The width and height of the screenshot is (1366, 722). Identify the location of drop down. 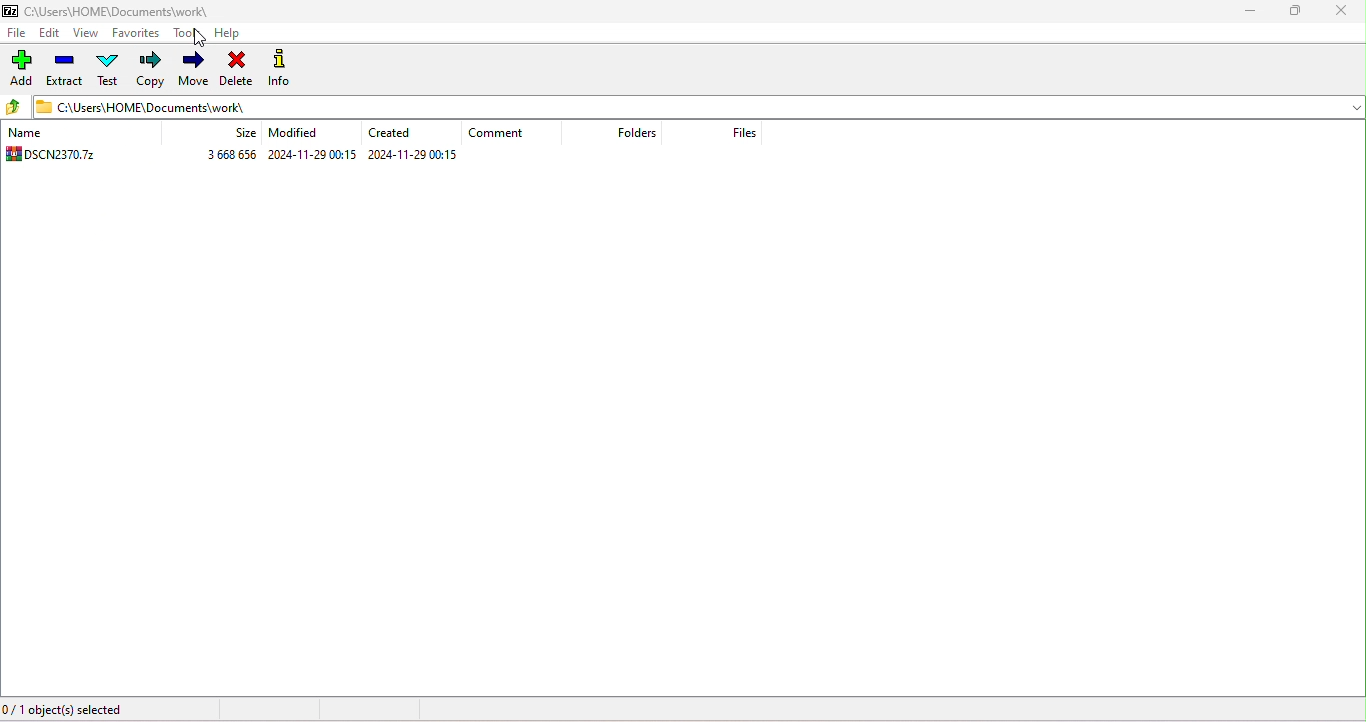
(1351, 107).